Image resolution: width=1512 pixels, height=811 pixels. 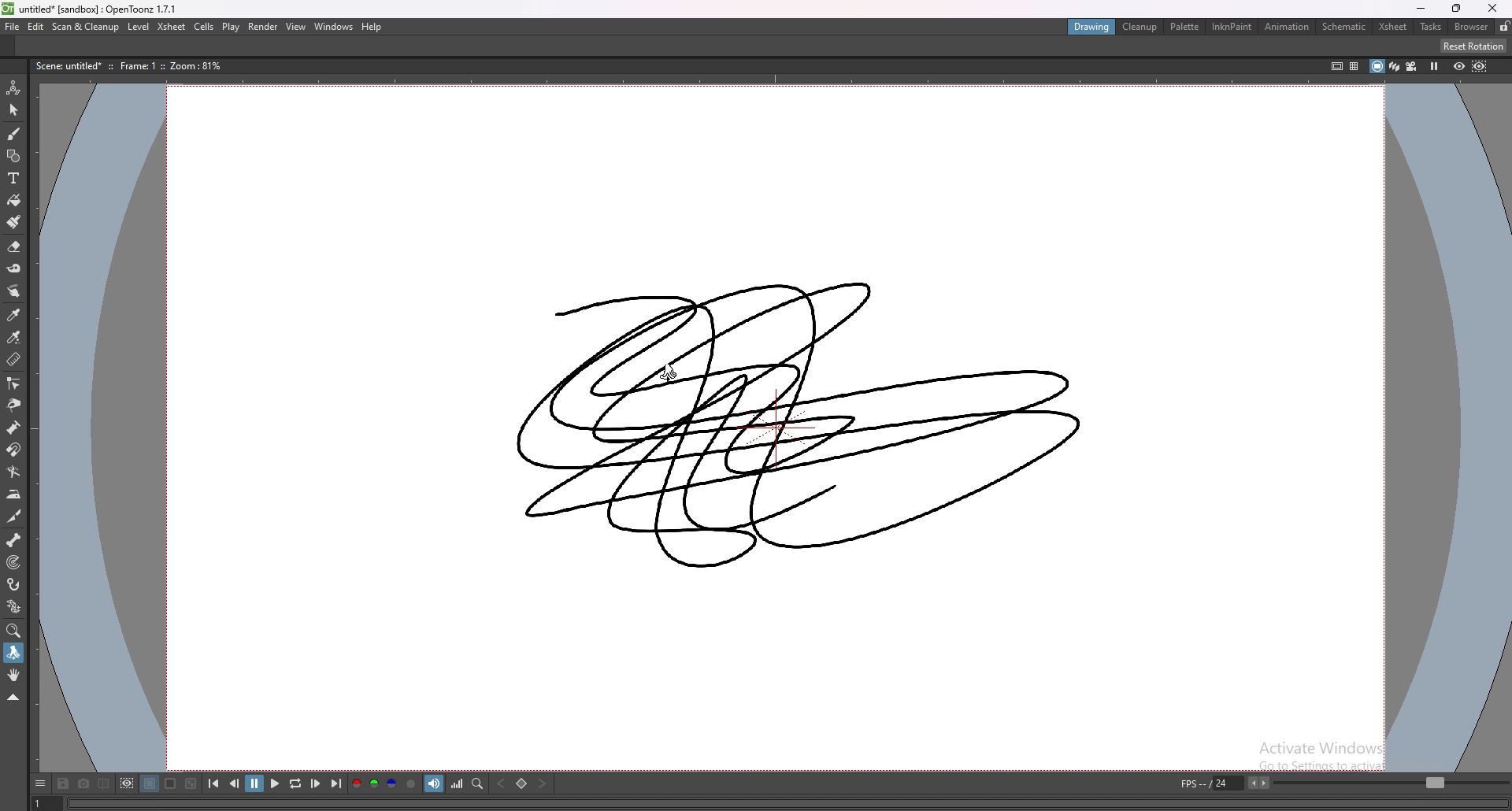 What do you see at coordinates (131, 66) in the screenshot?
I see `description` at bounding box center [131, 66].